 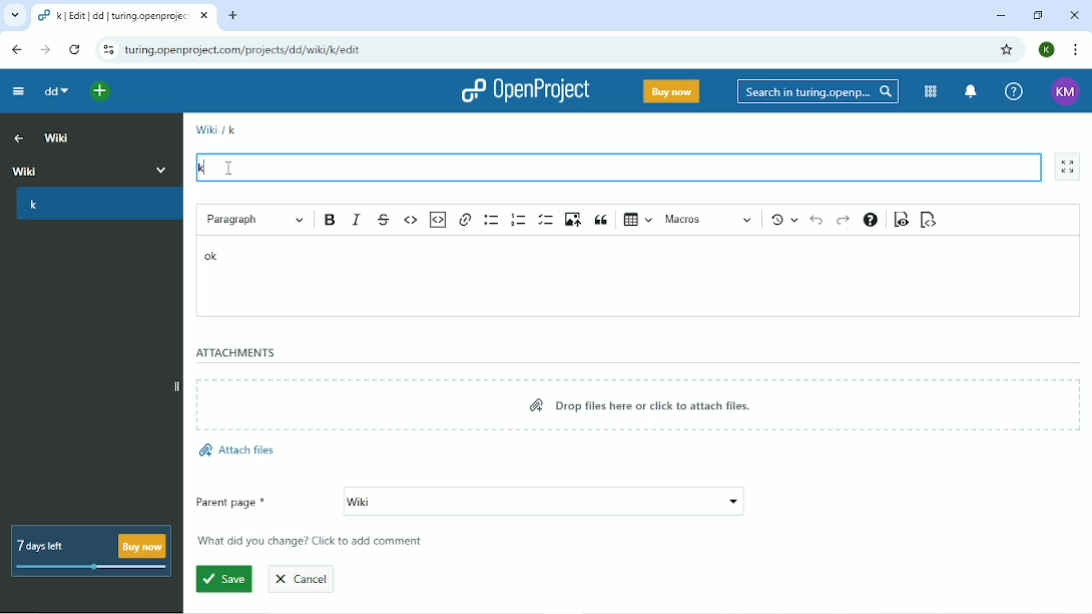 What do you see at coordinates (255, 220) in the screenshot?
I see `Paragraph` at bounding box center [255, 220].